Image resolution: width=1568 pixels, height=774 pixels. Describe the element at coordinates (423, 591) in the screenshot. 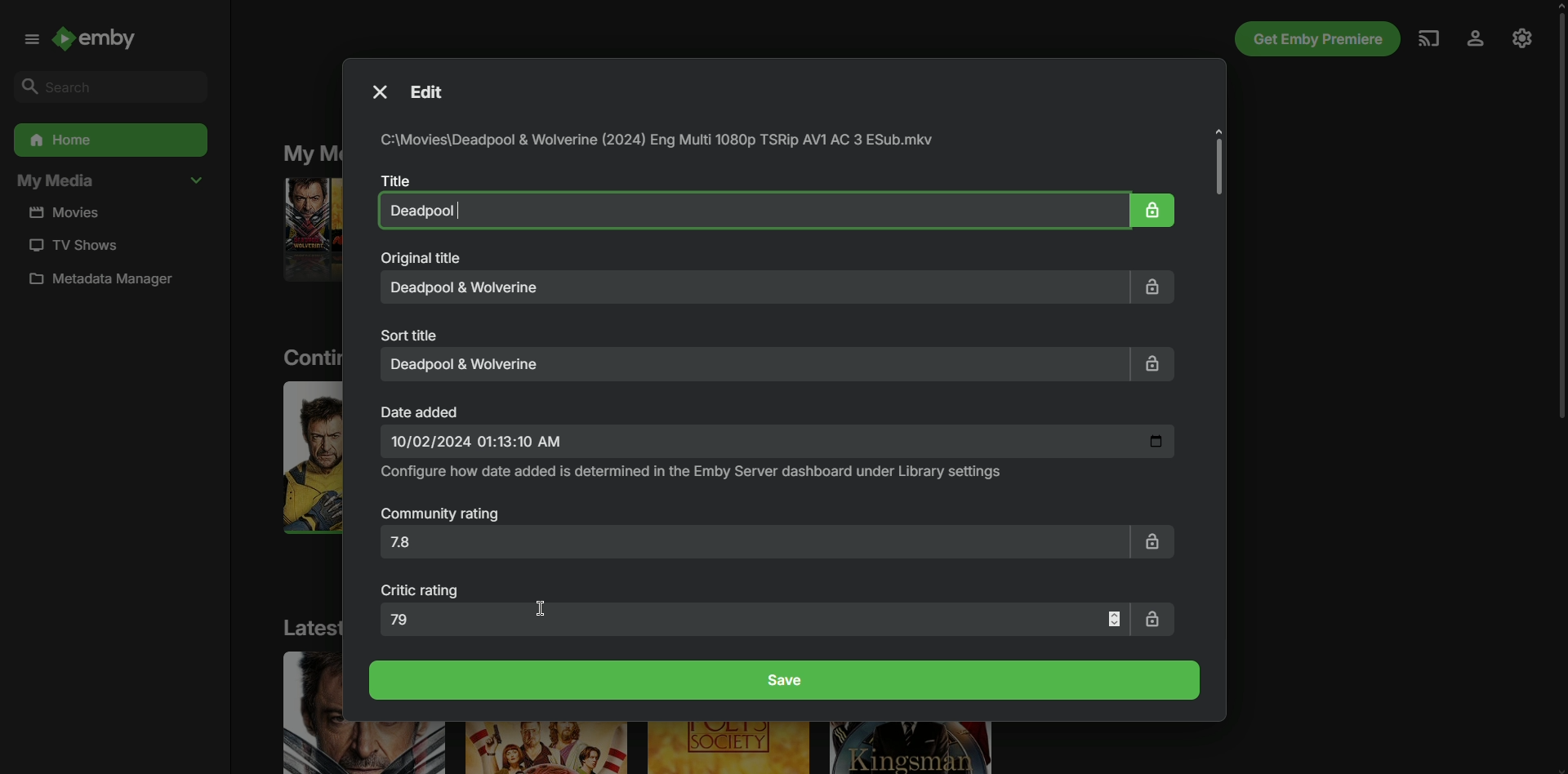

I see `Critic rating` at that location.